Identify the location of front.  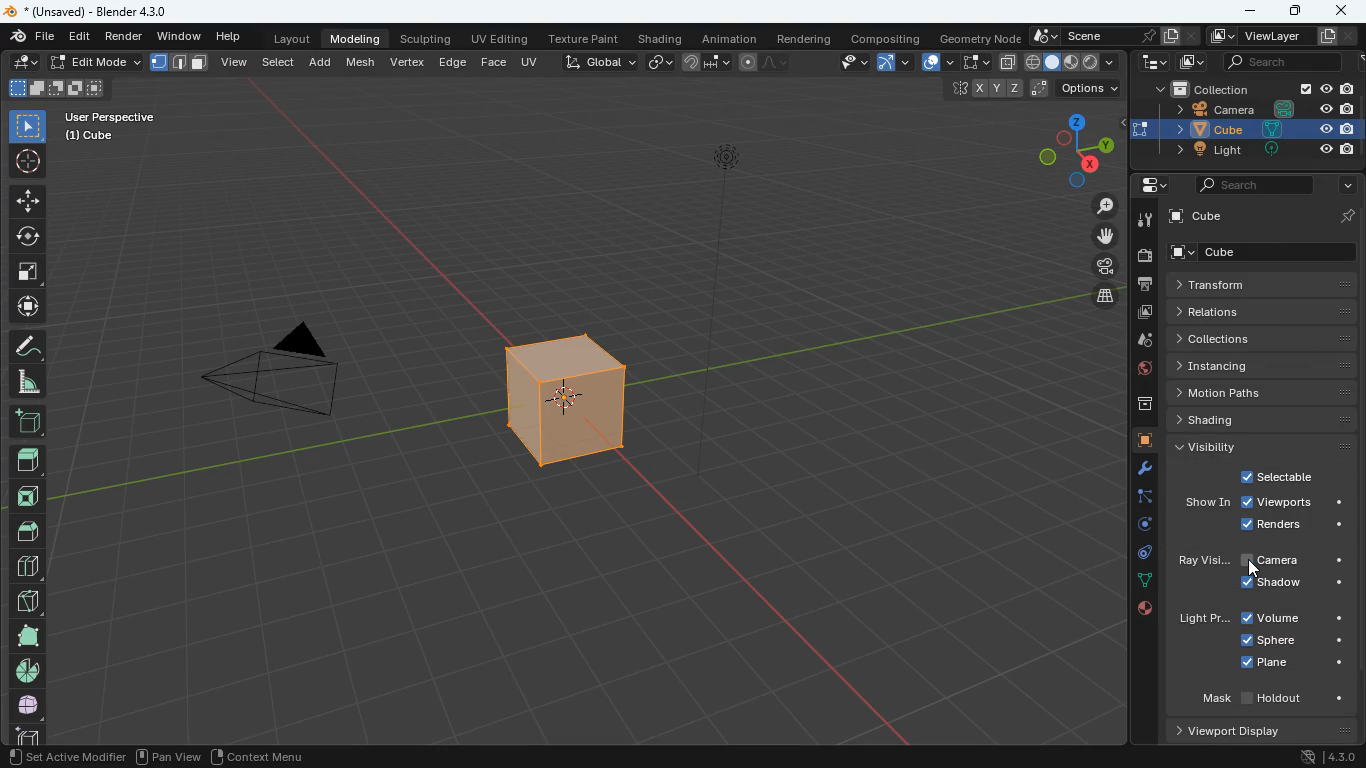
(29, 500).